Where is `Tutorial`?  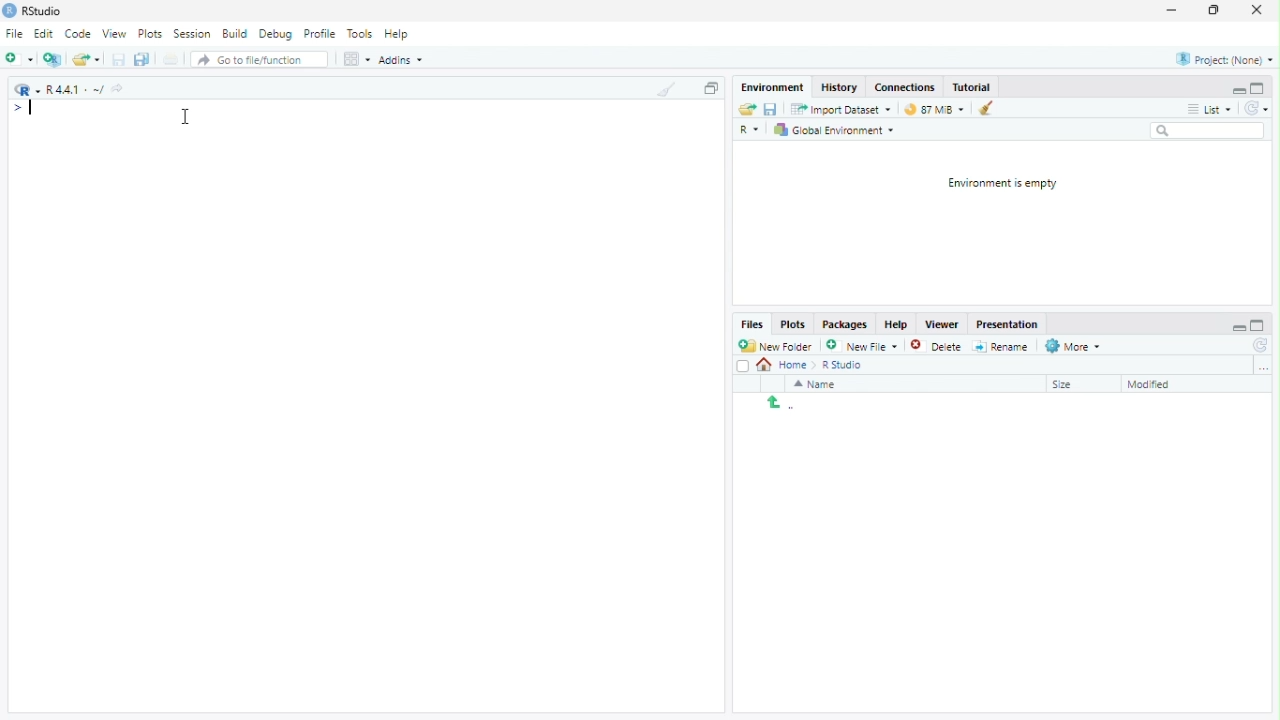 Tutorial is located at coordinates (972, 87).